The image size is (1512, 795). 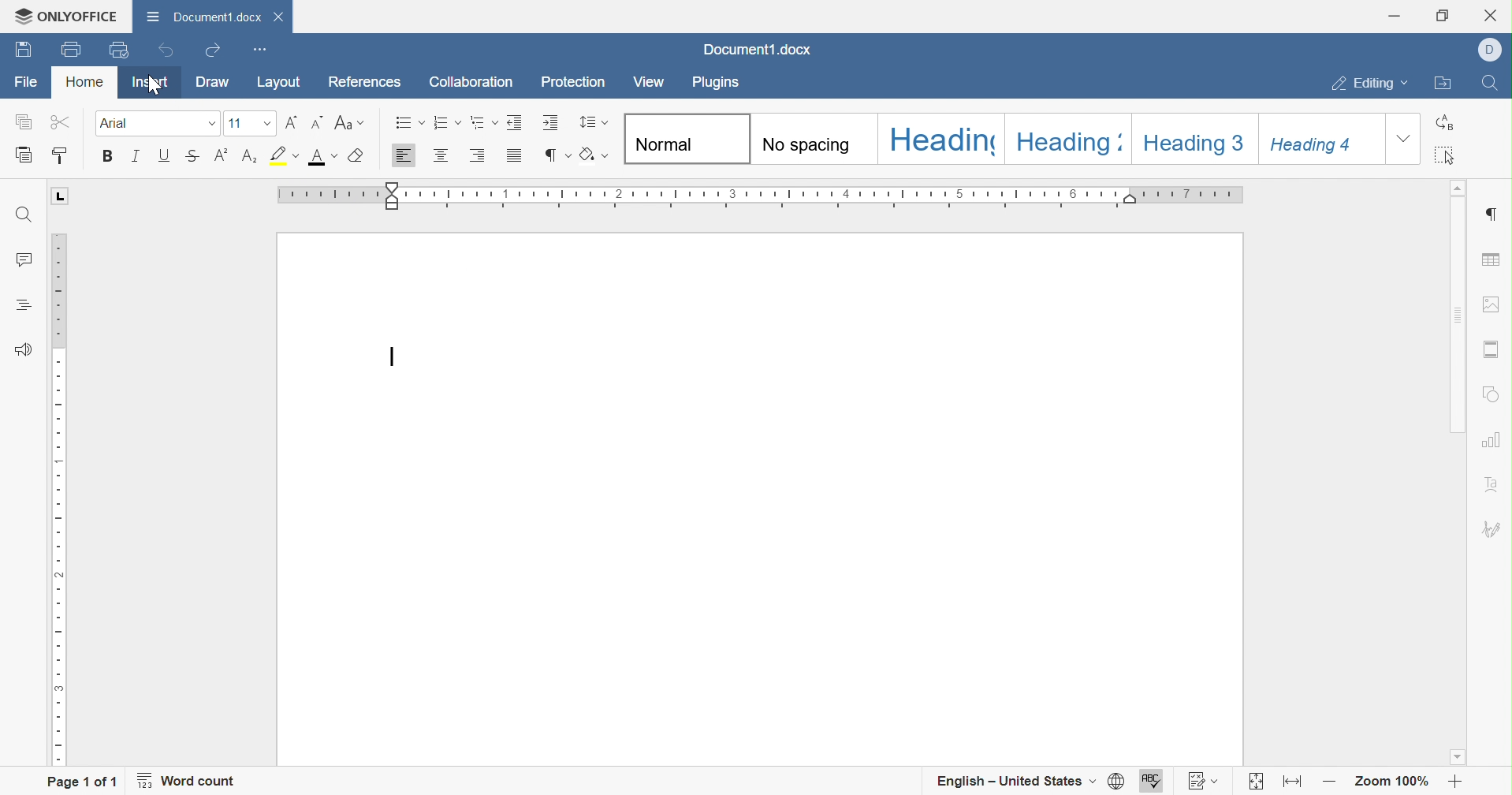 I want to click on Zoom out, so click(x=1328, y=781).